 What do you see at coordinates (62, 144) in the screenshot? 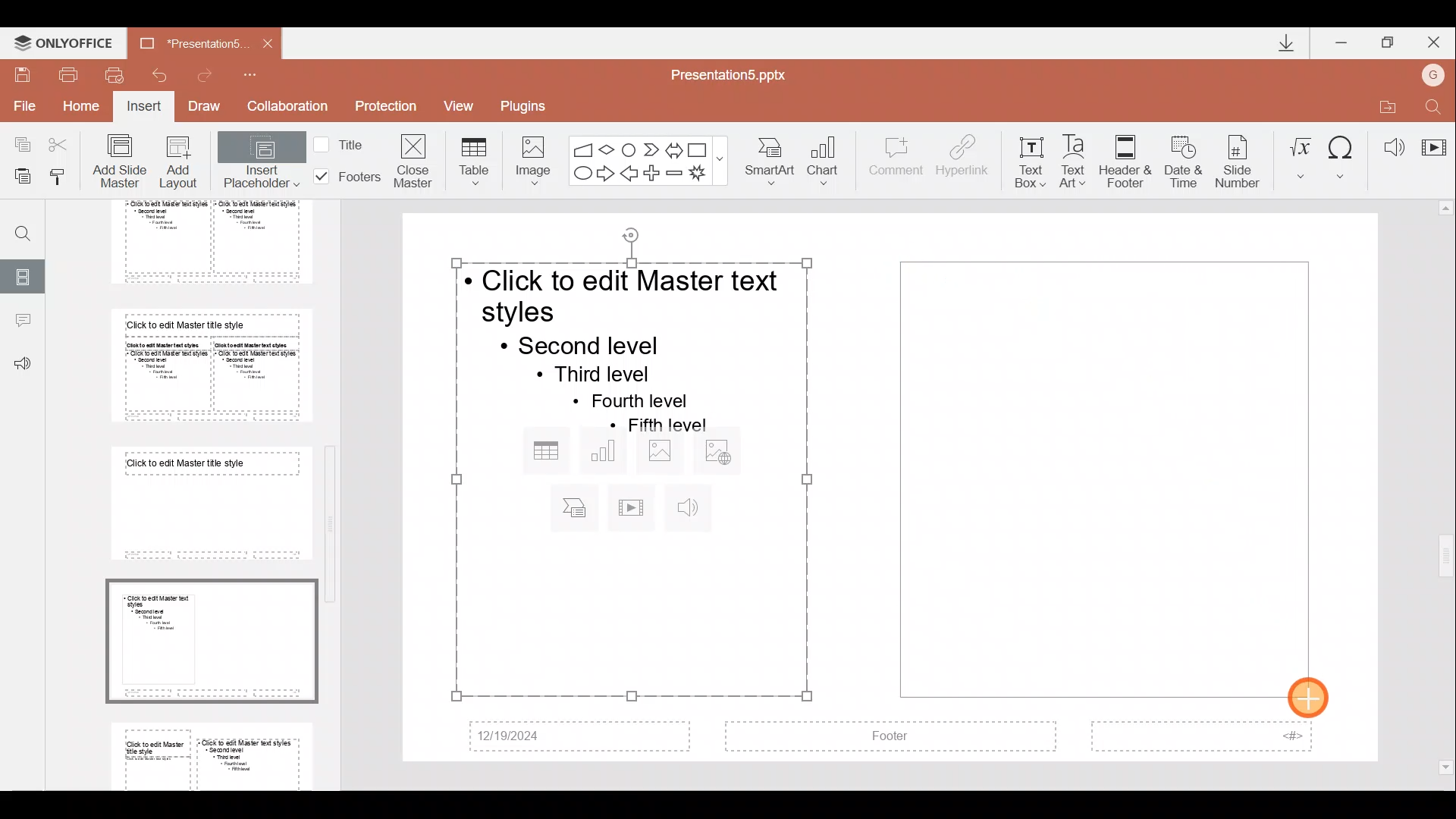
I see `Cut` at bounding box center [62, 144].